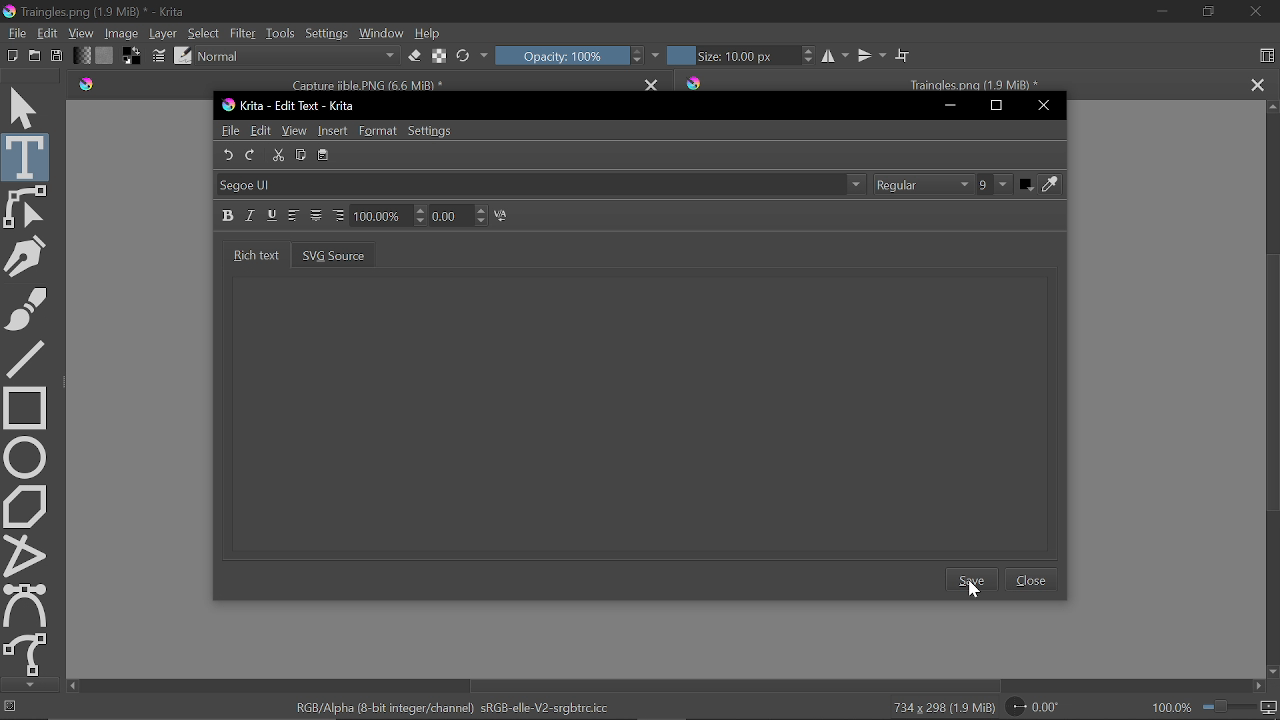 This screenshot has width=1280, height=720. What do you see at coordinates (337, 215) in the screenshot?
I see `Align right` at bounding box center [337, 215].